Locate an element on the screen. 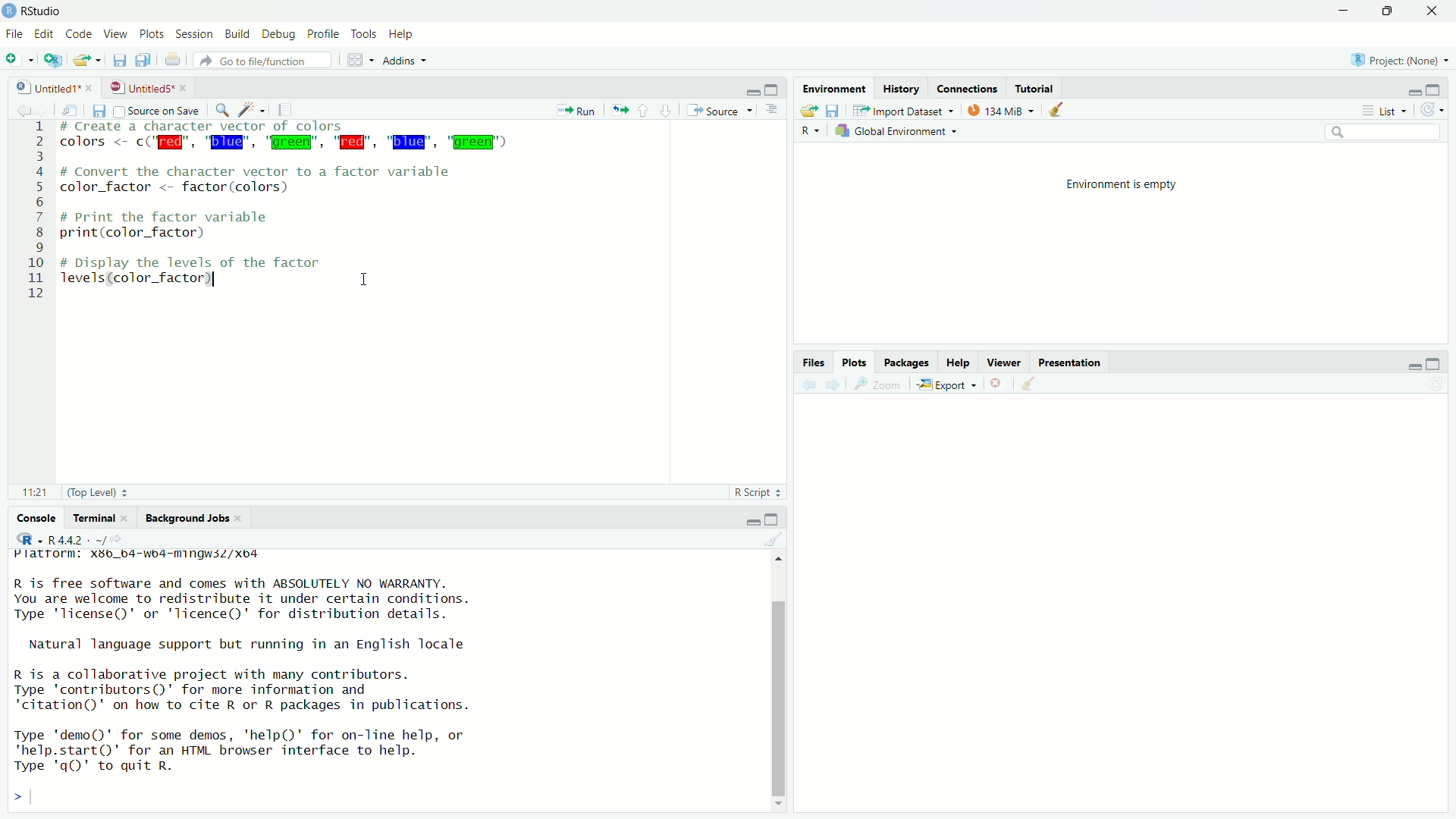  debug is located at coordinates (278, 34).